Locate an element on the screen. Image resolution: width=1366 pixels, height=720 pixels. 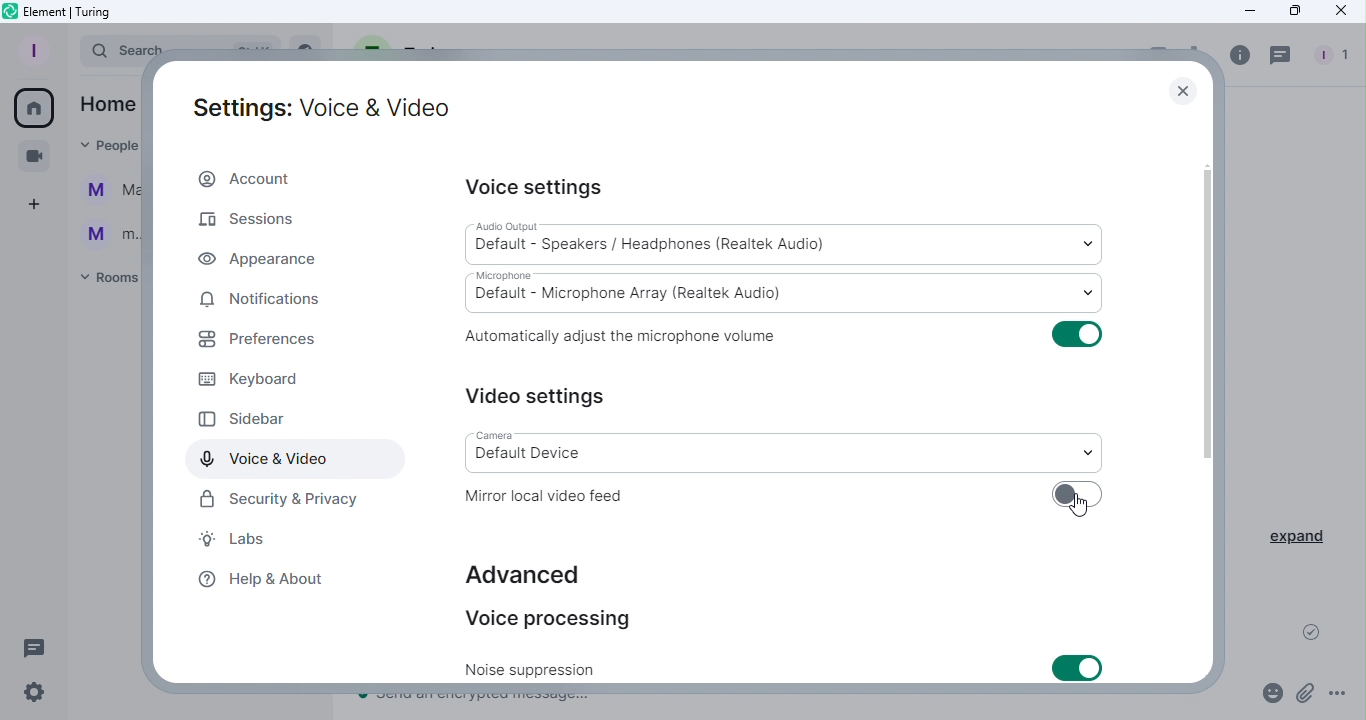
Toggle  is located at coordinates (1080, 497).